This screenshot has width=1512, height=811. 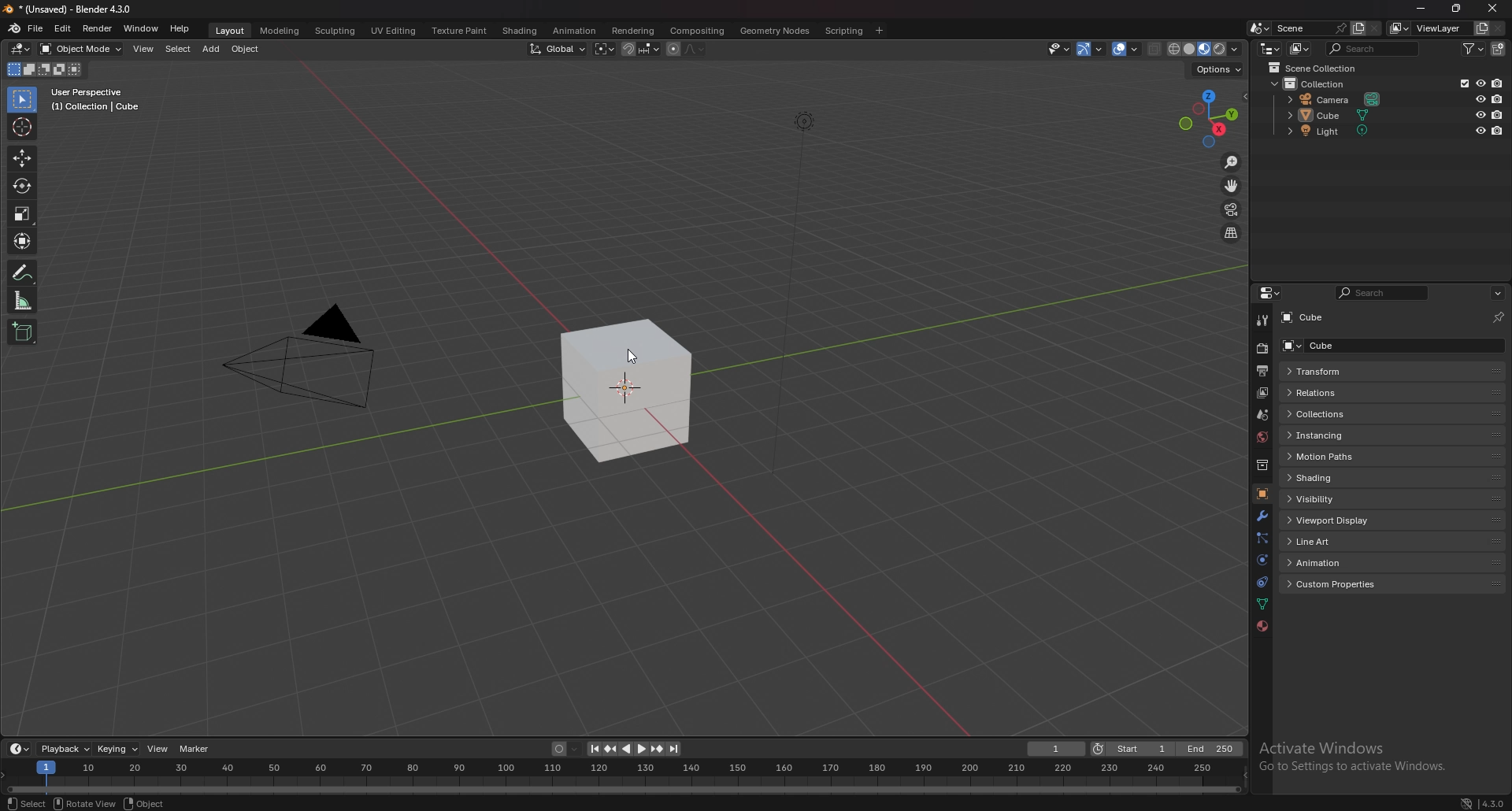 I want to click on output, so click(x=1262, y=371).